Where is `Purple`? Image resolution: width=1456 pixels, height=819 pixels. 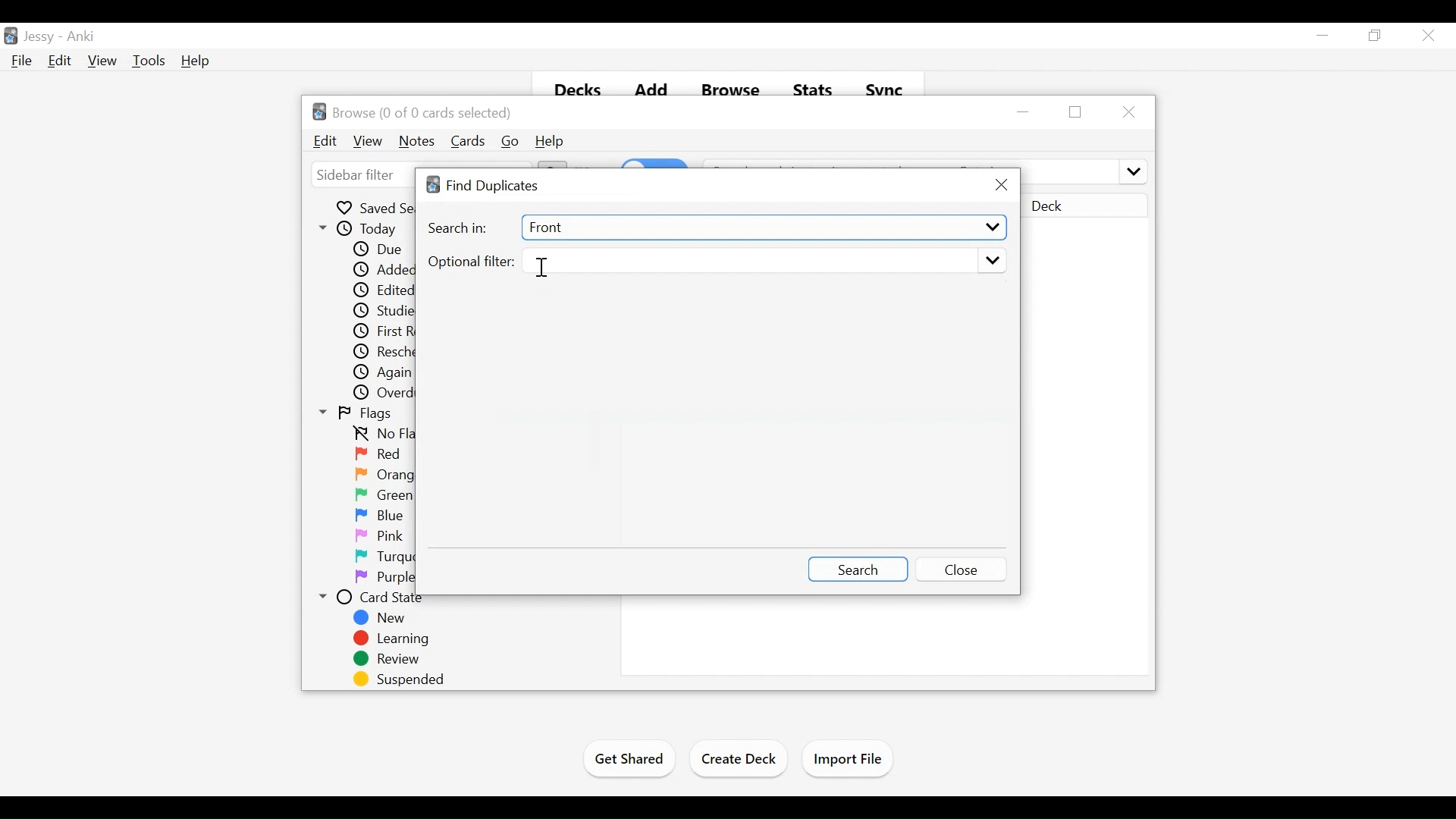 Purple is located at coordinates (385, 578).